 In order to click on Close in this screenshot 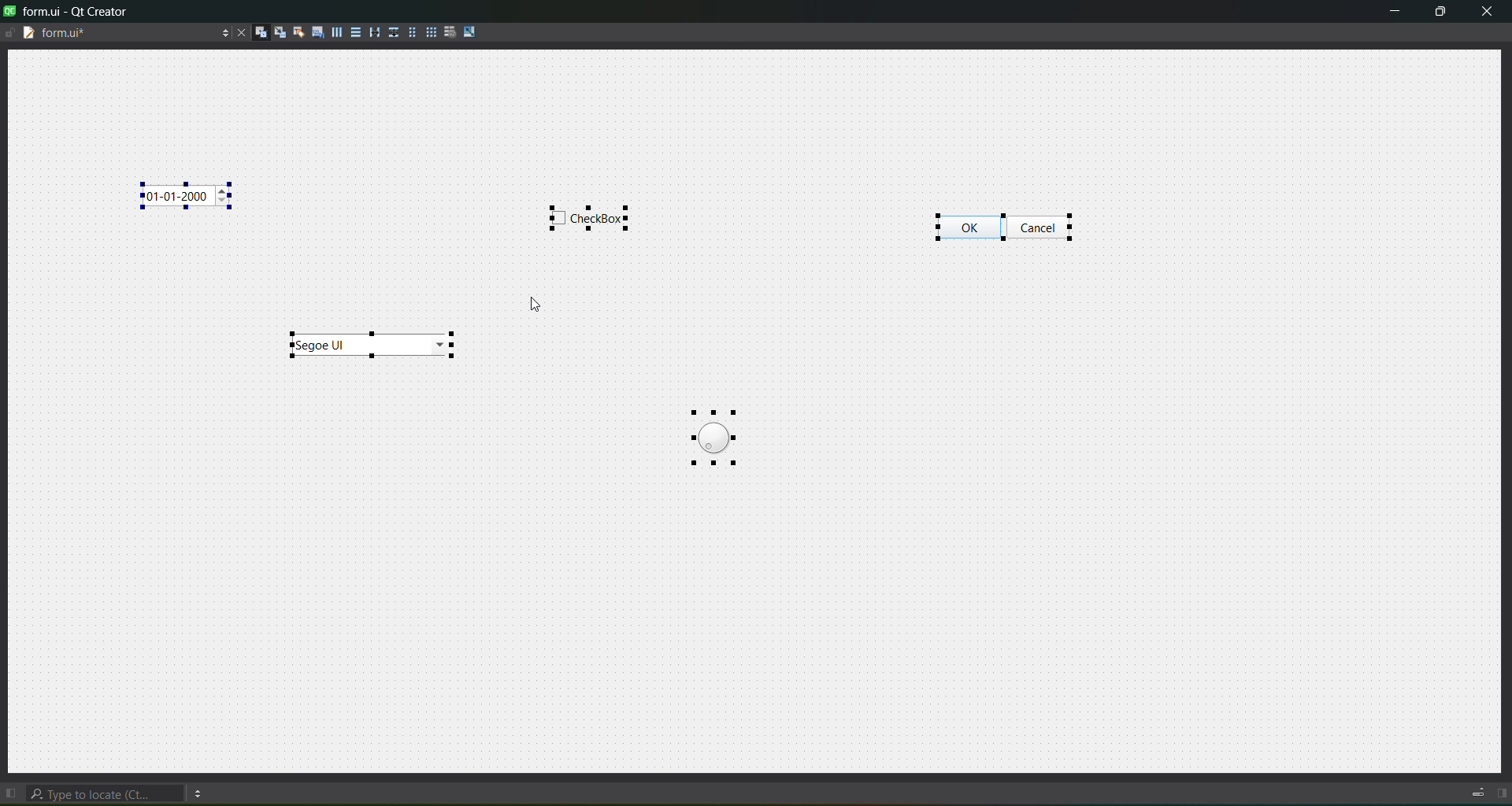, I will do `click(1486, 12)`.